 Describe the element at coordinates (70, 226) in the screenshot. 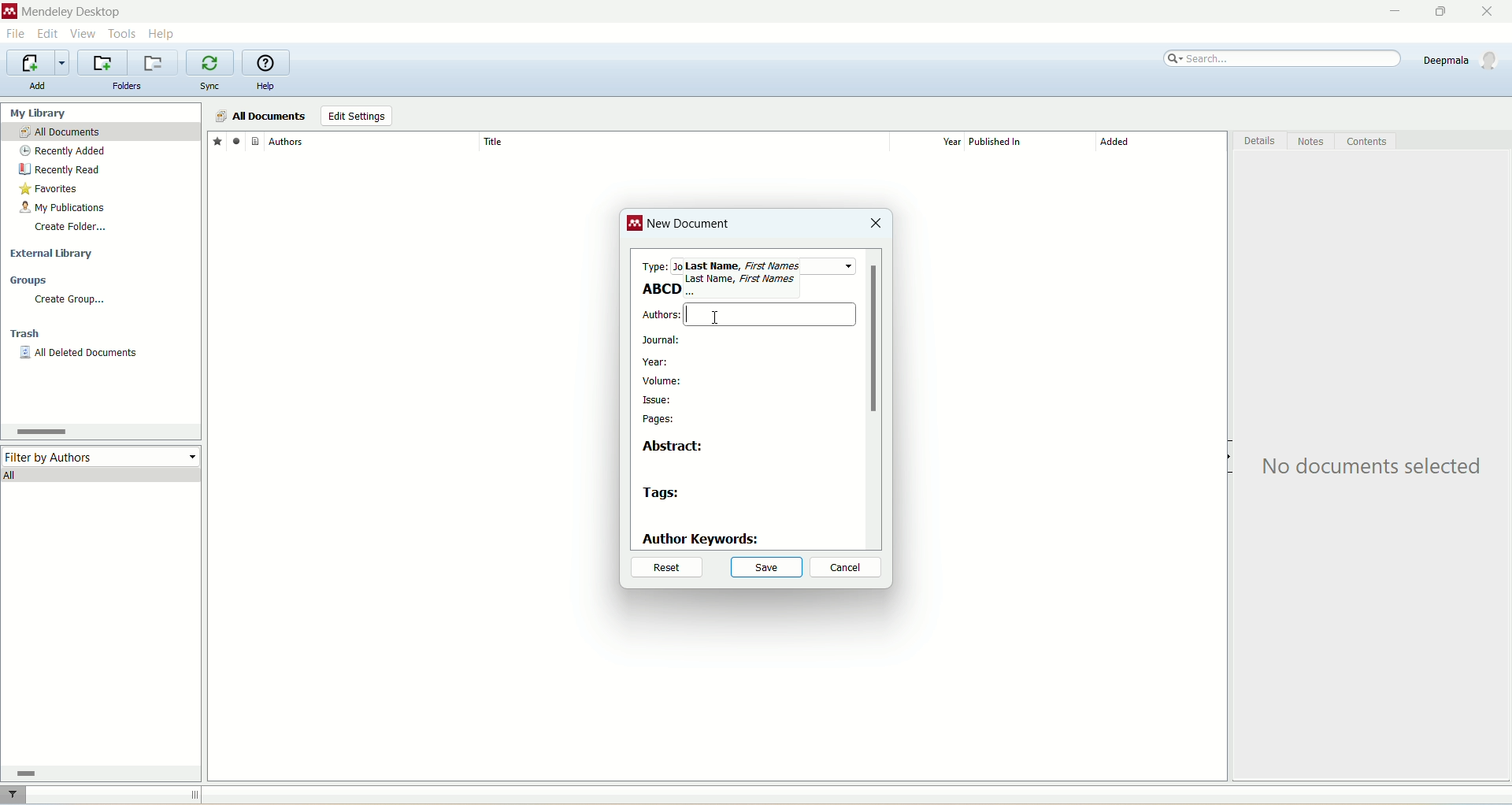

I see `create folder` at that location.